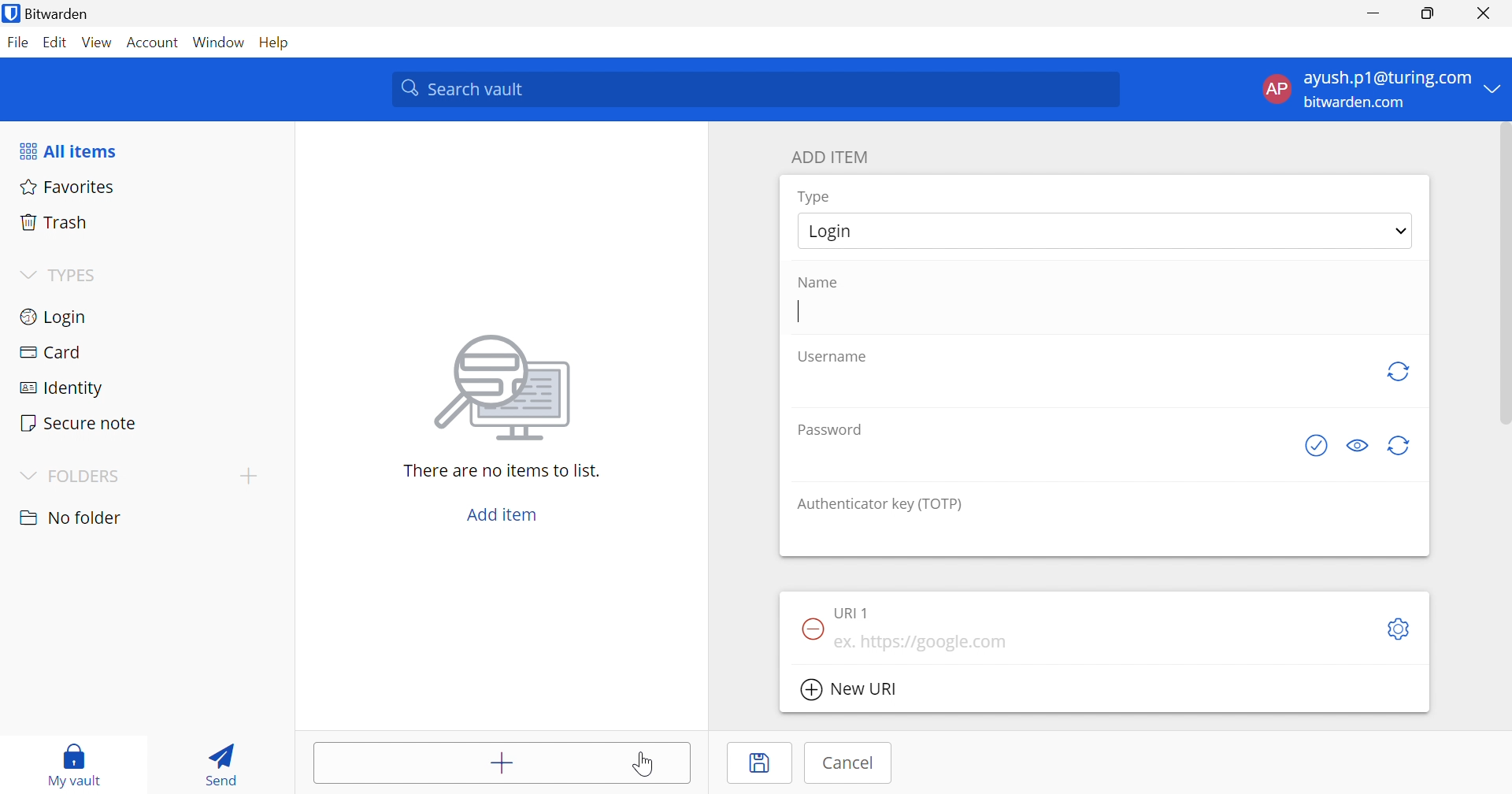  What do you see at coordinates (50, 354) in the screenshot?
I see `Card` at bounding box center [50, 354].